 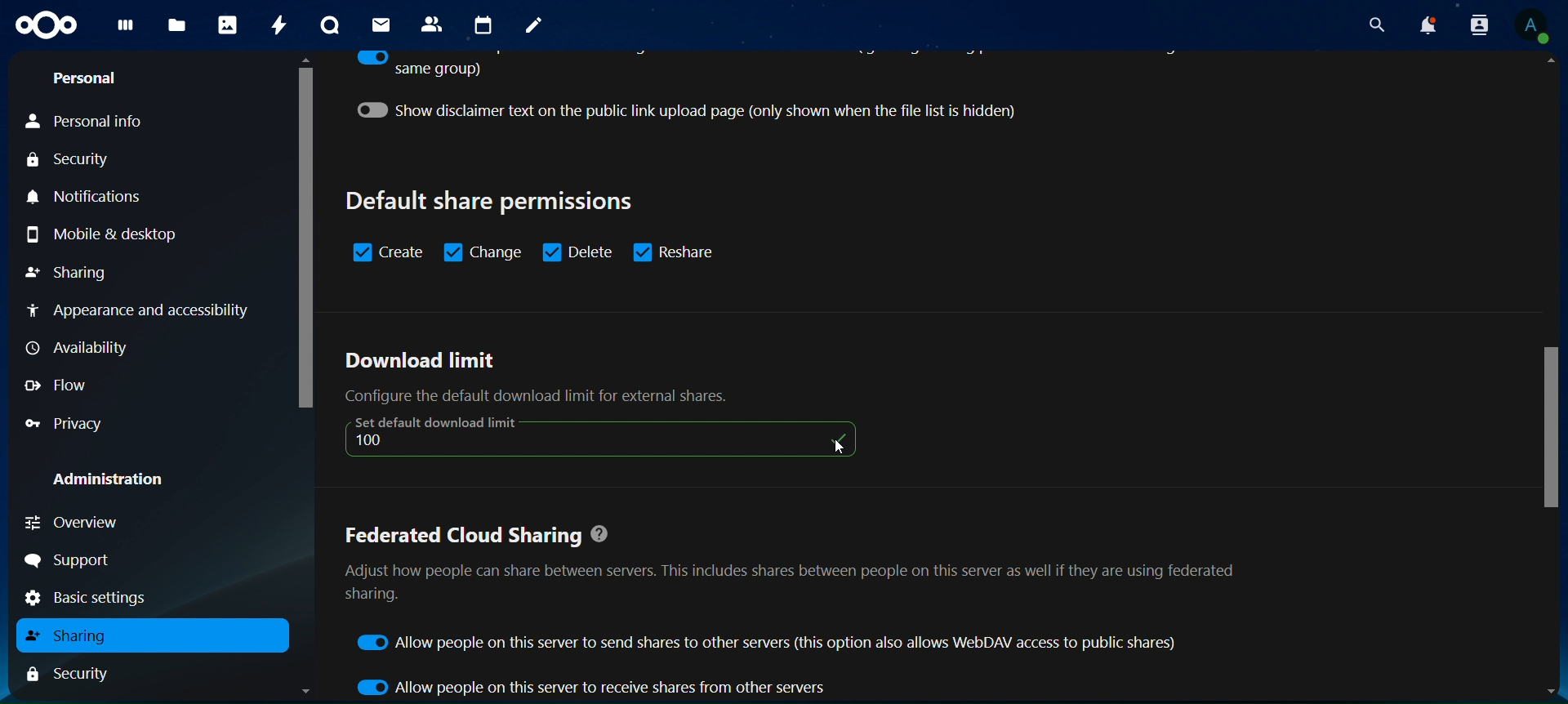 What do you see at coordinates (82, 348) in the screenshot?
I see `availability` at bounding box center [82, 348].